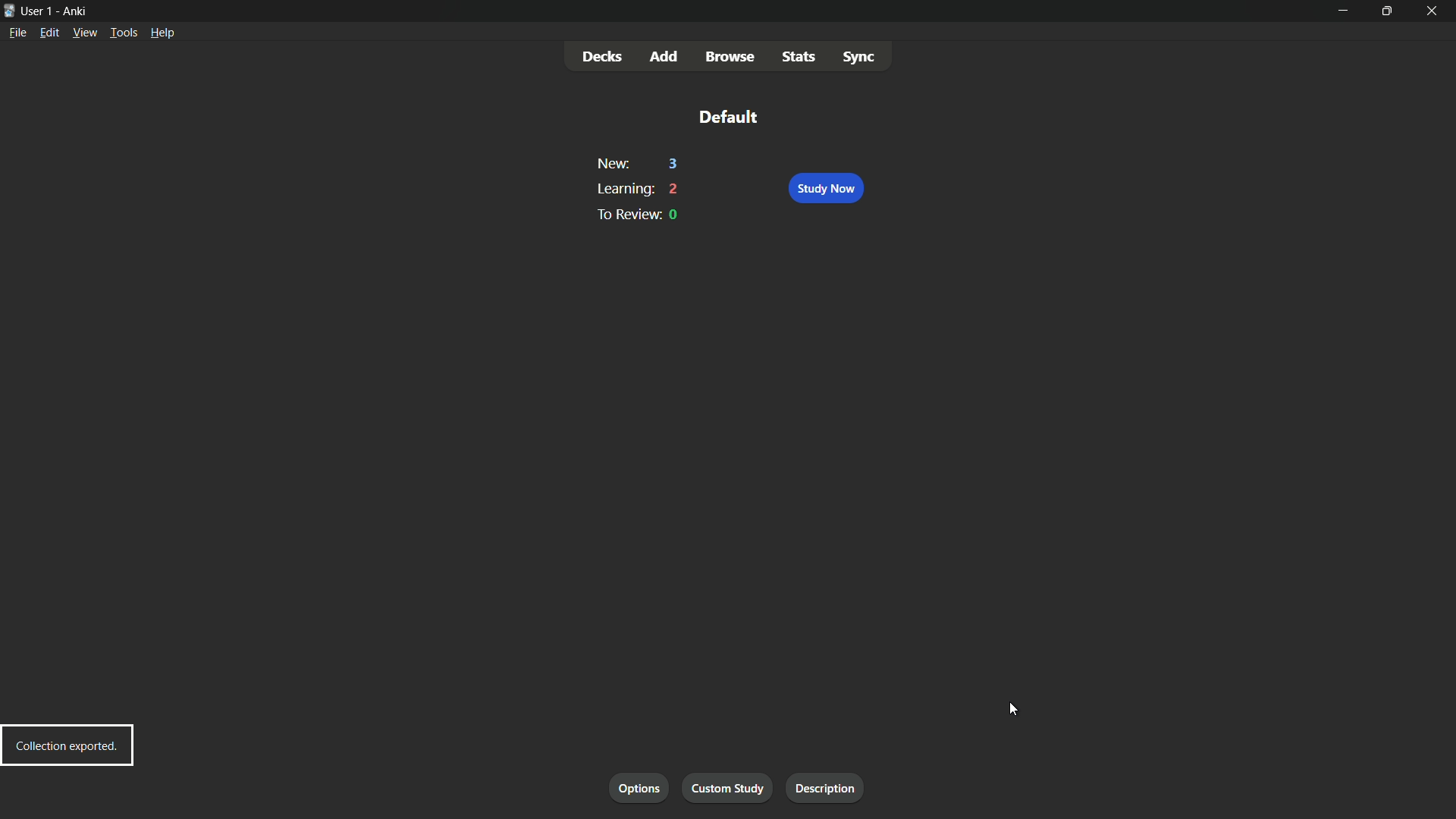  Describe the element at coordinates (674, 165) in the screenshot. I see `3` at that location.